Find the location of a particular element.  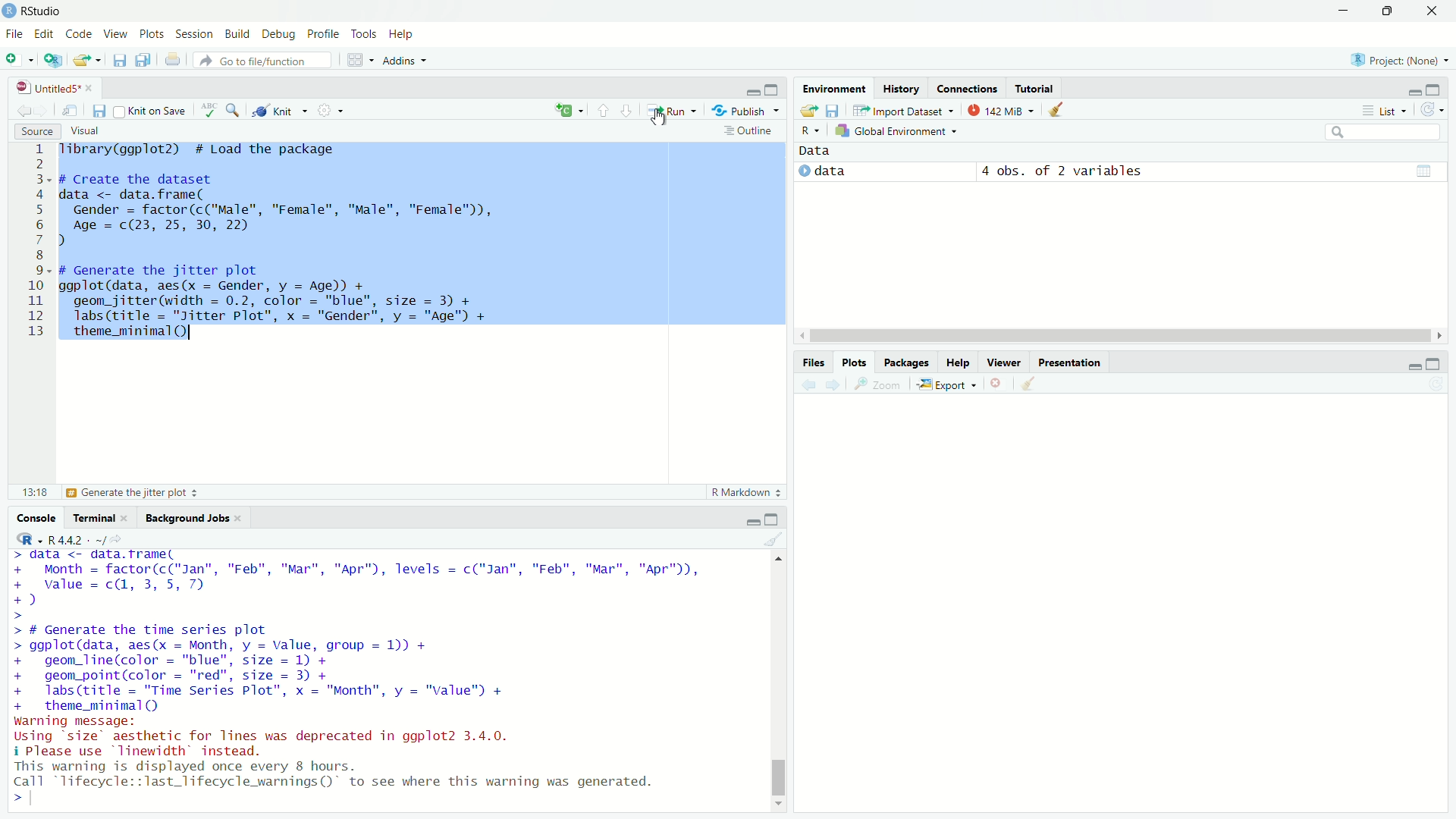

go to next section/chunk is located at coordinates (627, 110).